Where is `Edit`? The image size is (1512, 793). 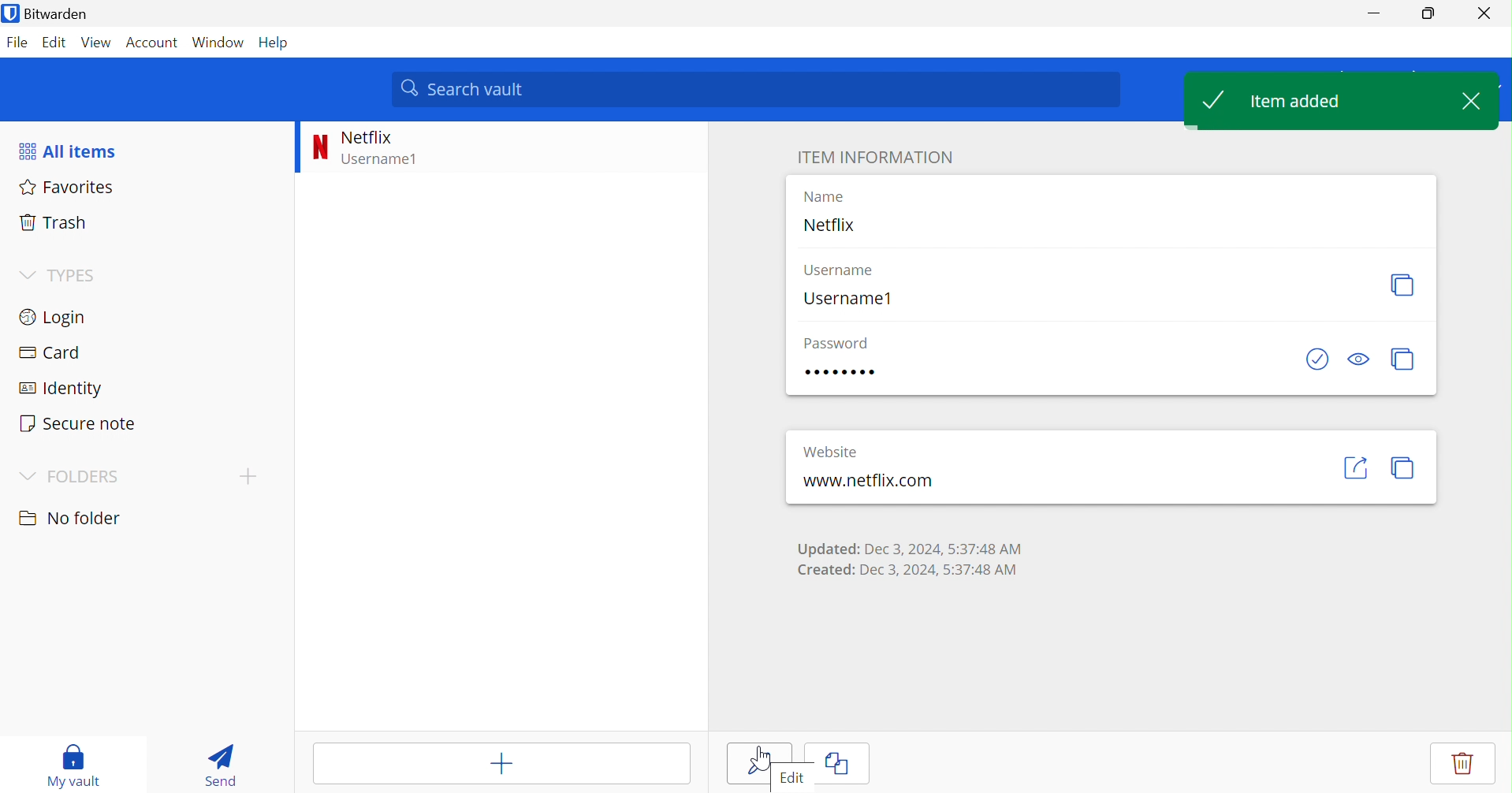 Edit is located at coordinates (795, 778).